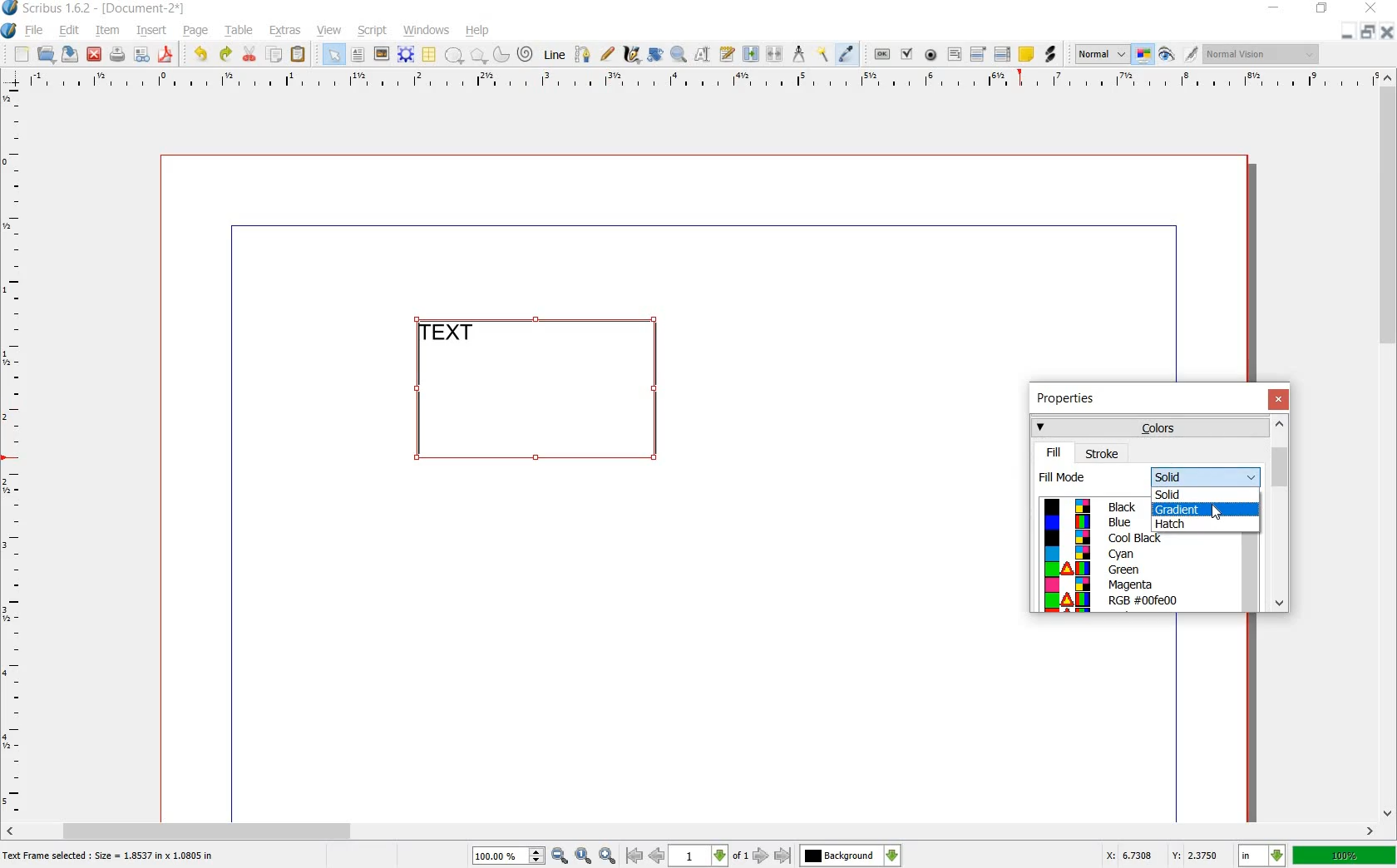  What do you see at coordinates (697, 856) in the screenshot?
I see `1` at bounding box center [697, 856].